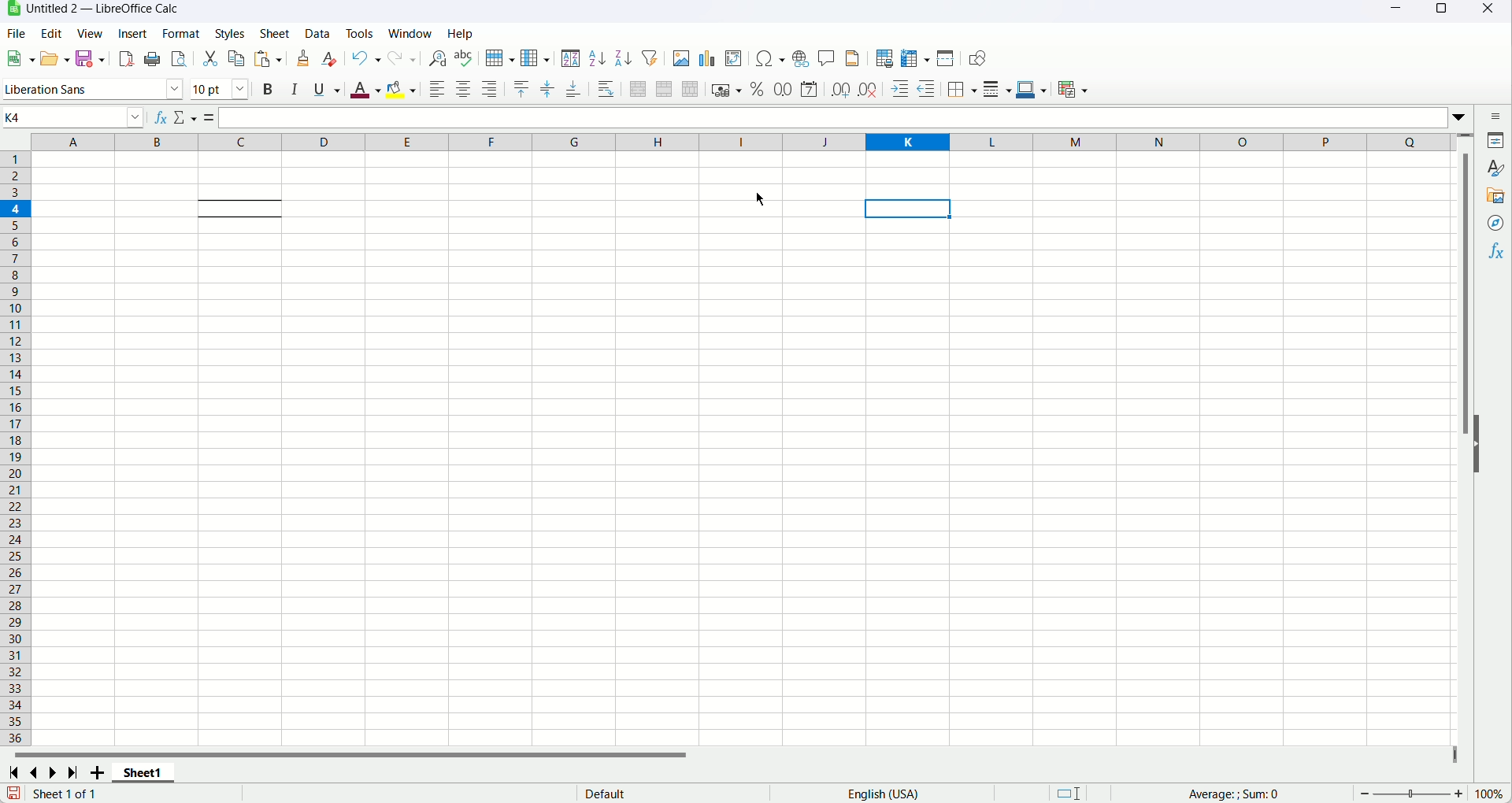 The width and height of the screenshot is (1512, 803). What do you see at coordinates (36, 772) in the screenshot?
I see `Previous sheet` at bounding box center [36, 772].